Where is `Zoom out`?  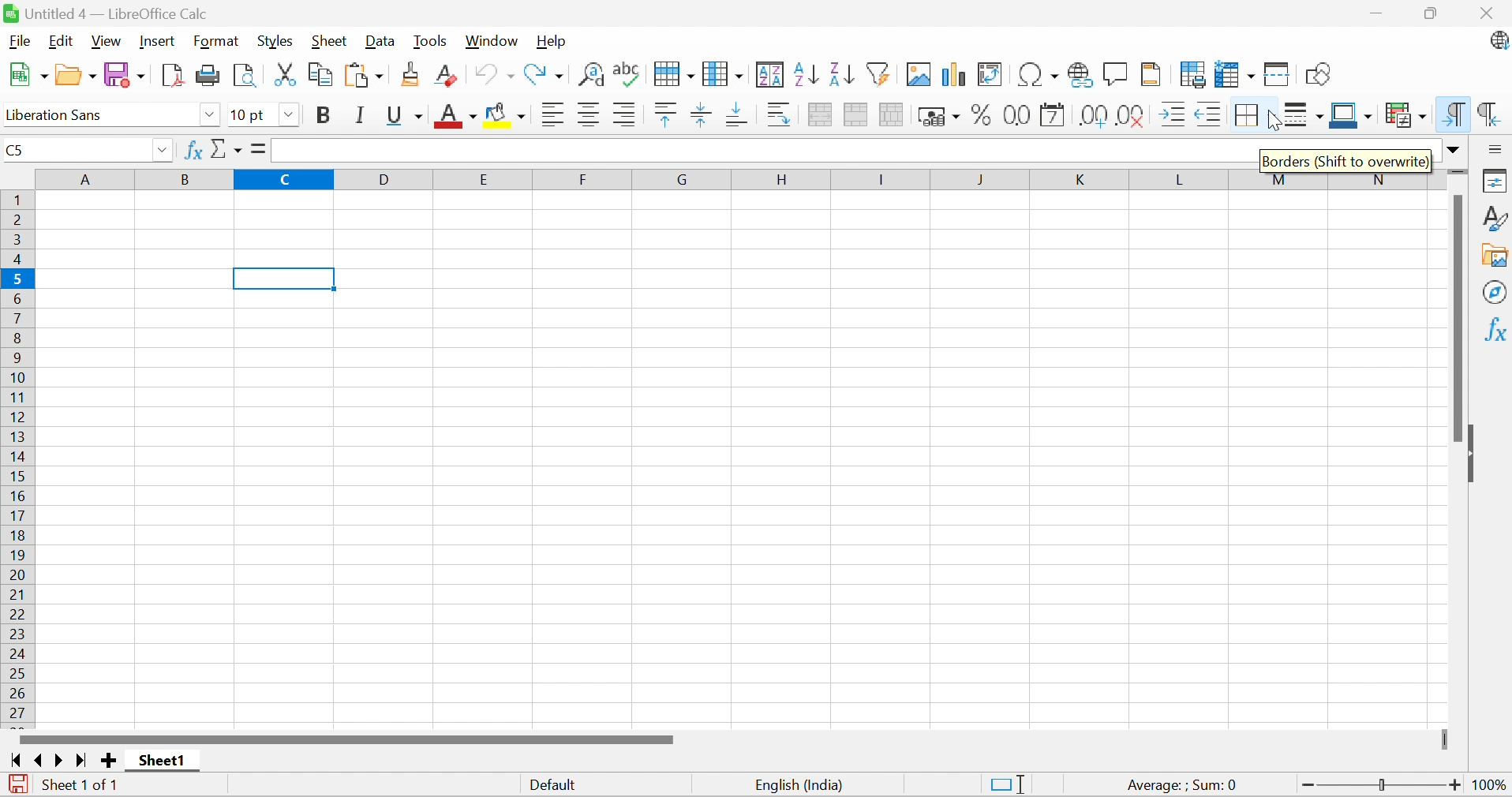
Zoom out is located at coordinates (1308, 786).